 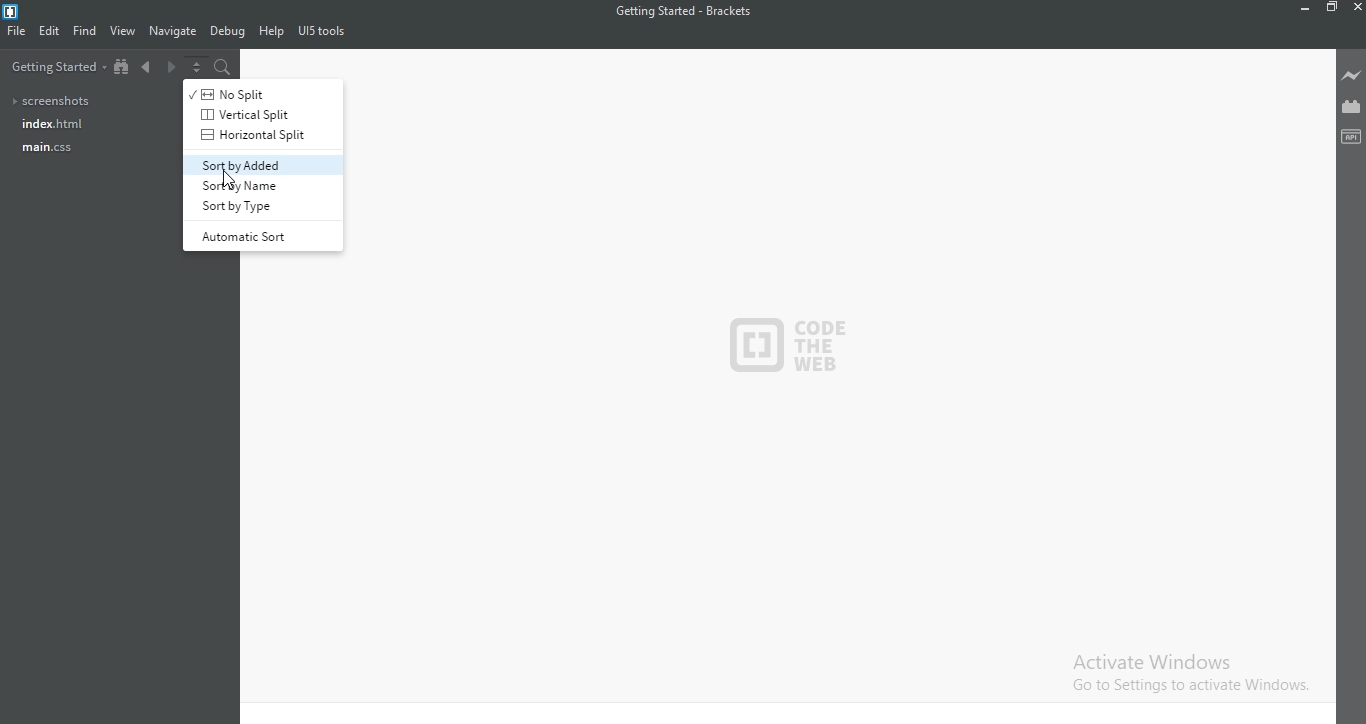 What do you see at coordinates (228, 32) in the screenshot?
I see `Debug` at bounding box center [228, 32].